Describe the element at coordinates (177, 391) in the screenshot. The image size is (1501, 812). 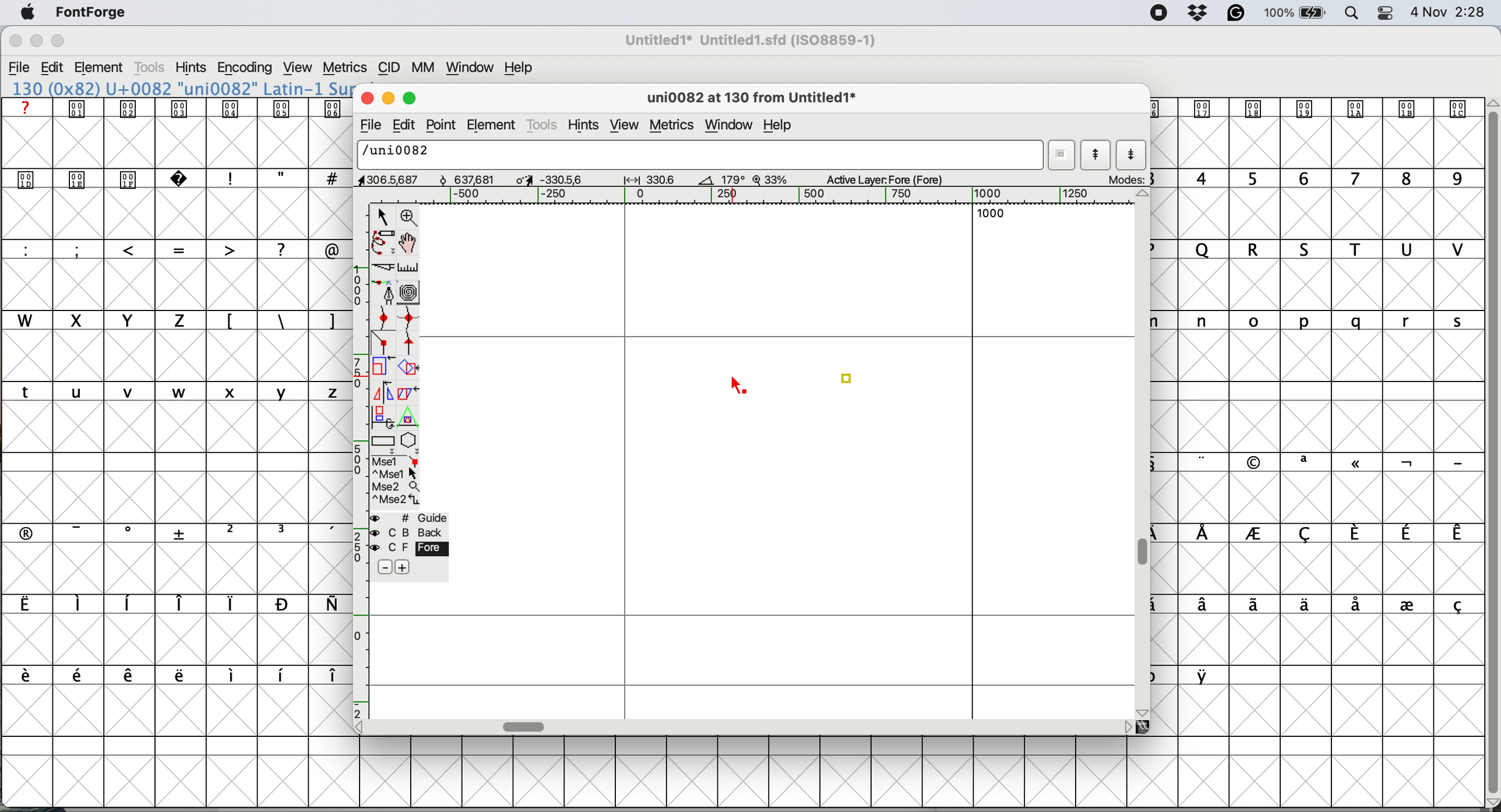
I see `lower case letters` at that location.